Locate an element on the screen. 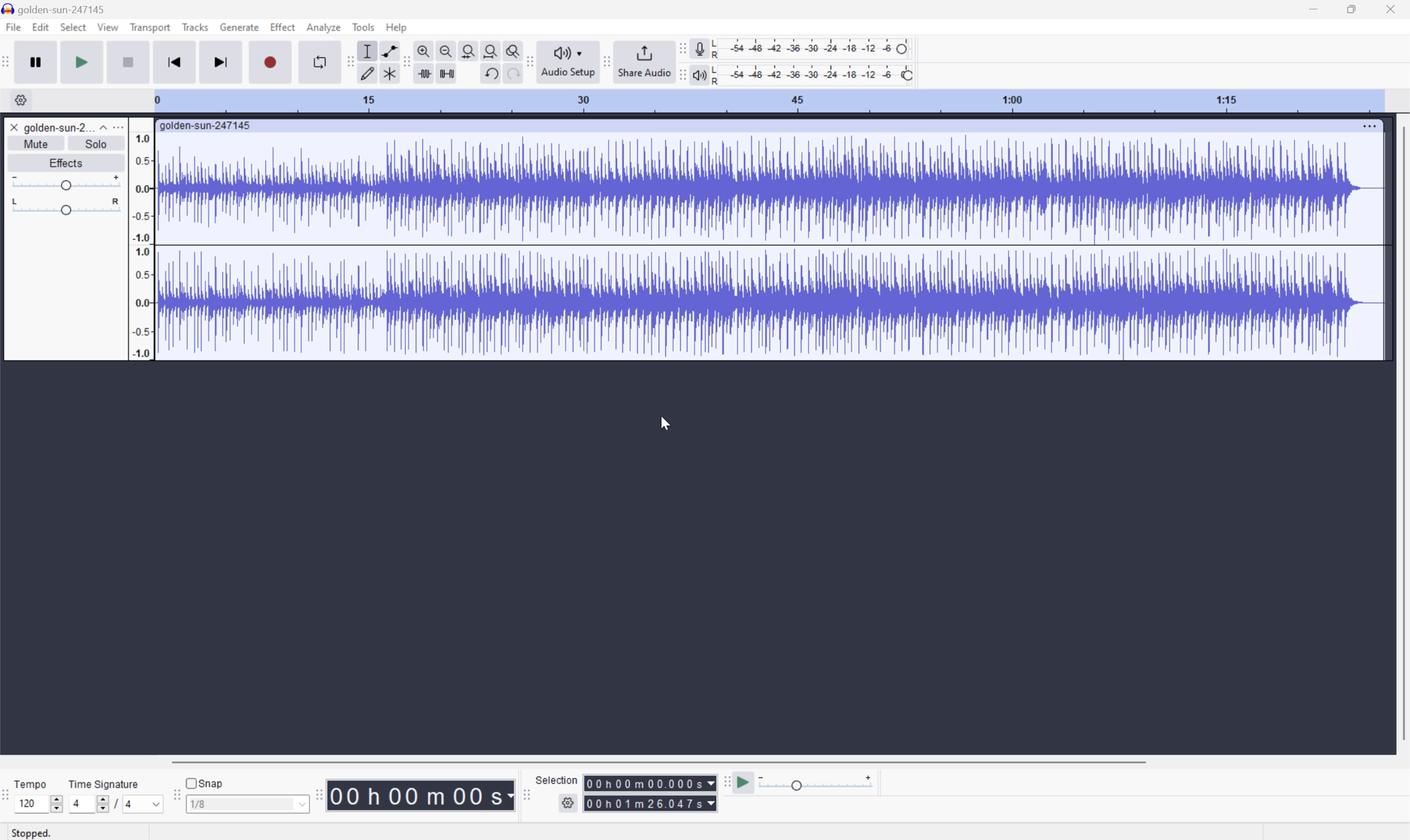 Image resolution: width=1410 pixels, height=840 pixels. Close is located at coordinates (1394, 8).